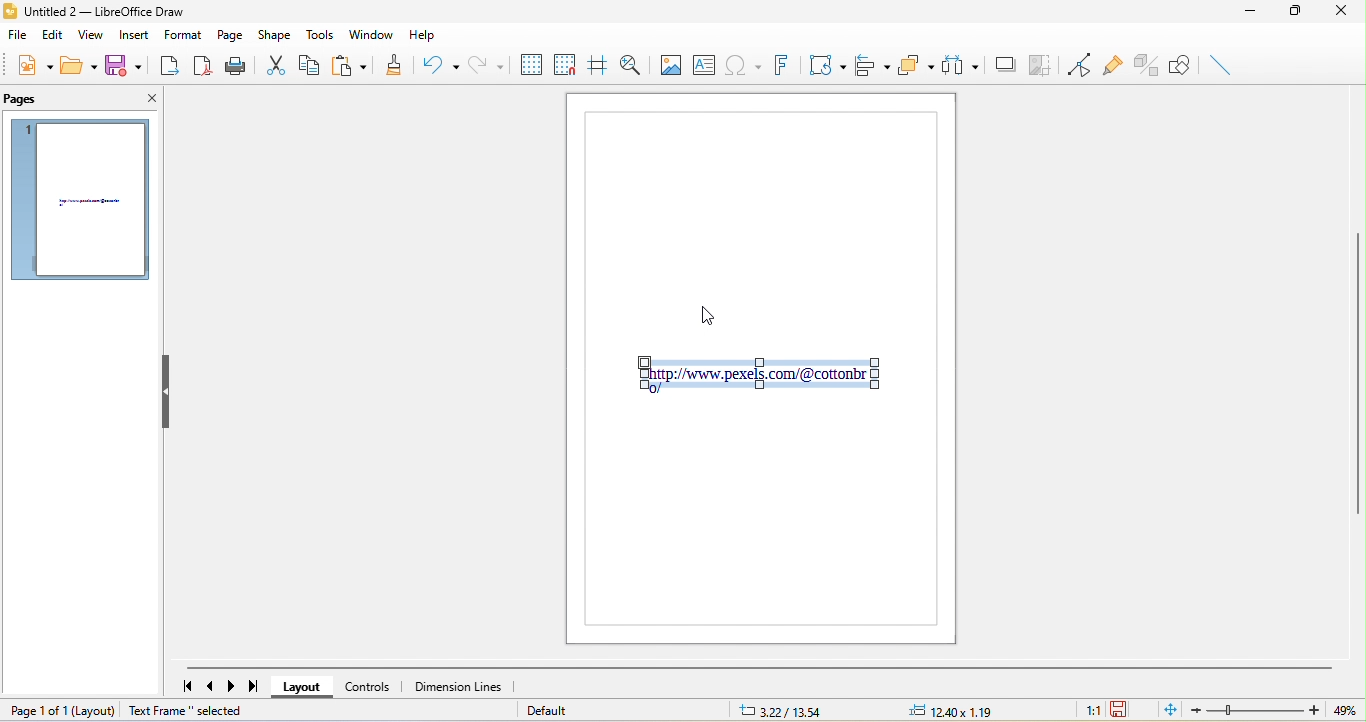 This screenshot has width=1366, height=722. Describe the element at coordinates (128, 65) in the screenshot. I see `save` at that location.